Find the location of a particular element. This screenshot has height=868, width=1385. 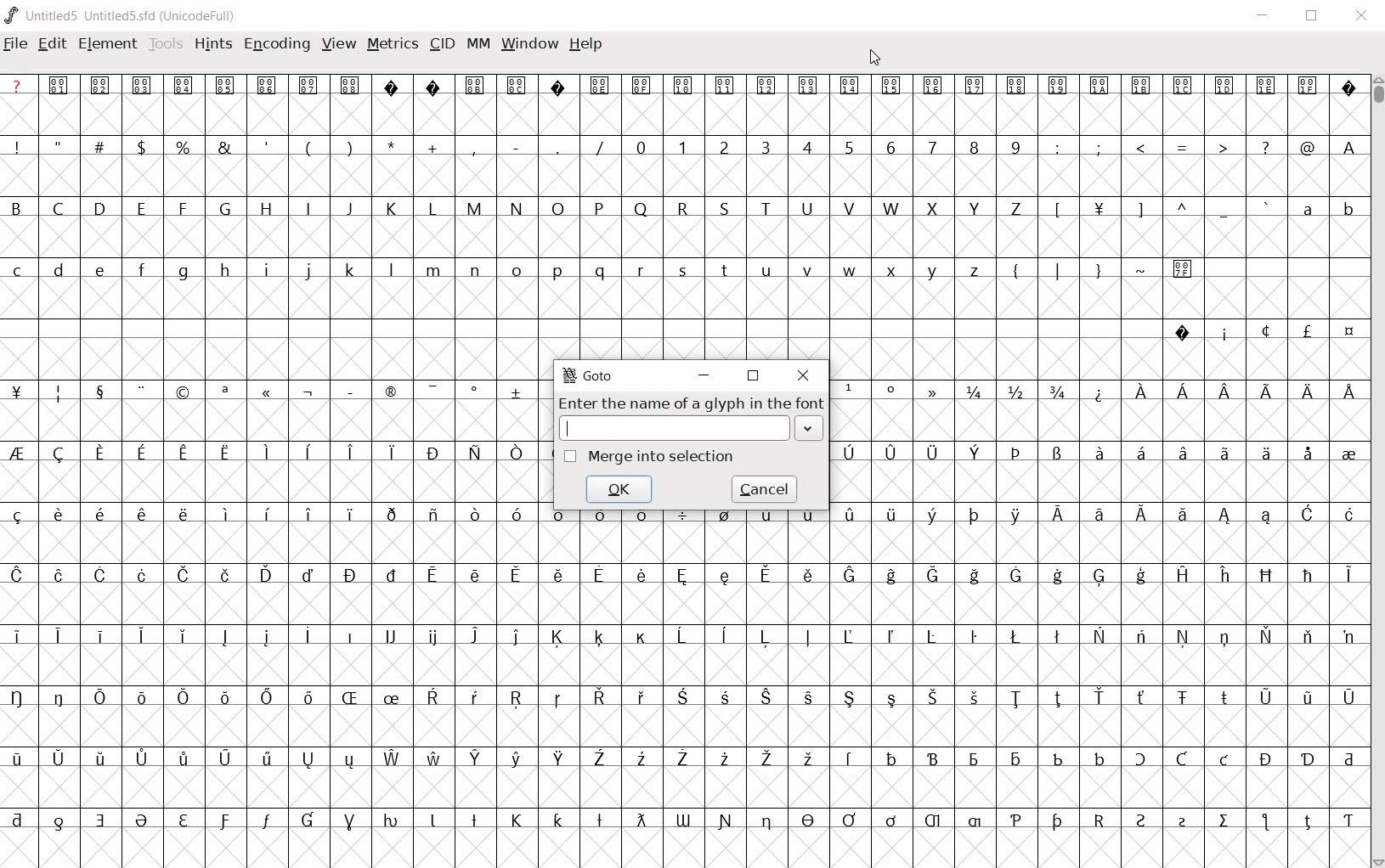

? is located at coordinates (1264, 148).